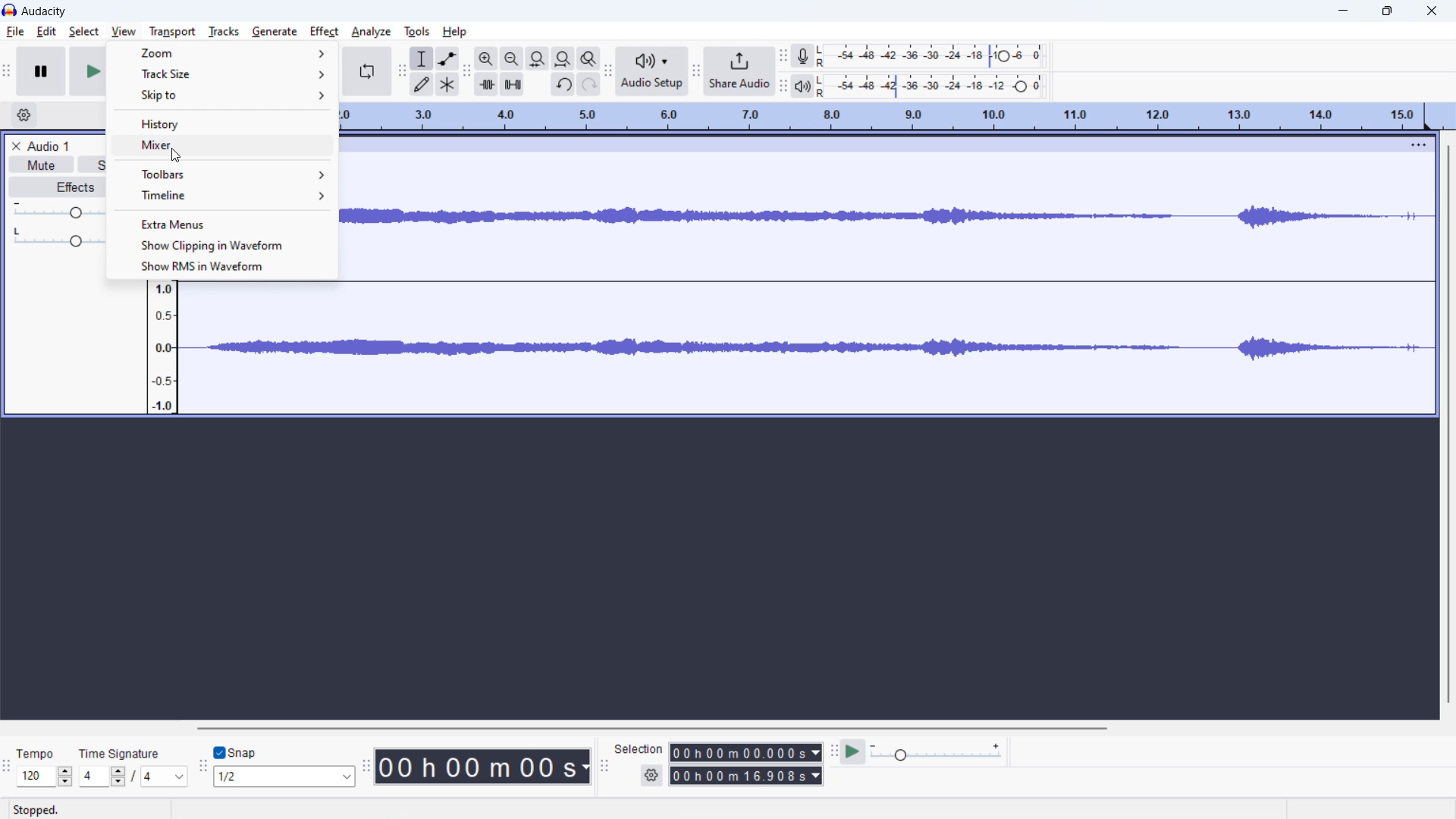 The width and height of the screenshot is (1456, 819). What do you see at coordinates (609, 71) in the screenshot?
I see `audio setup toolbar` at bounding box center [609, 71].